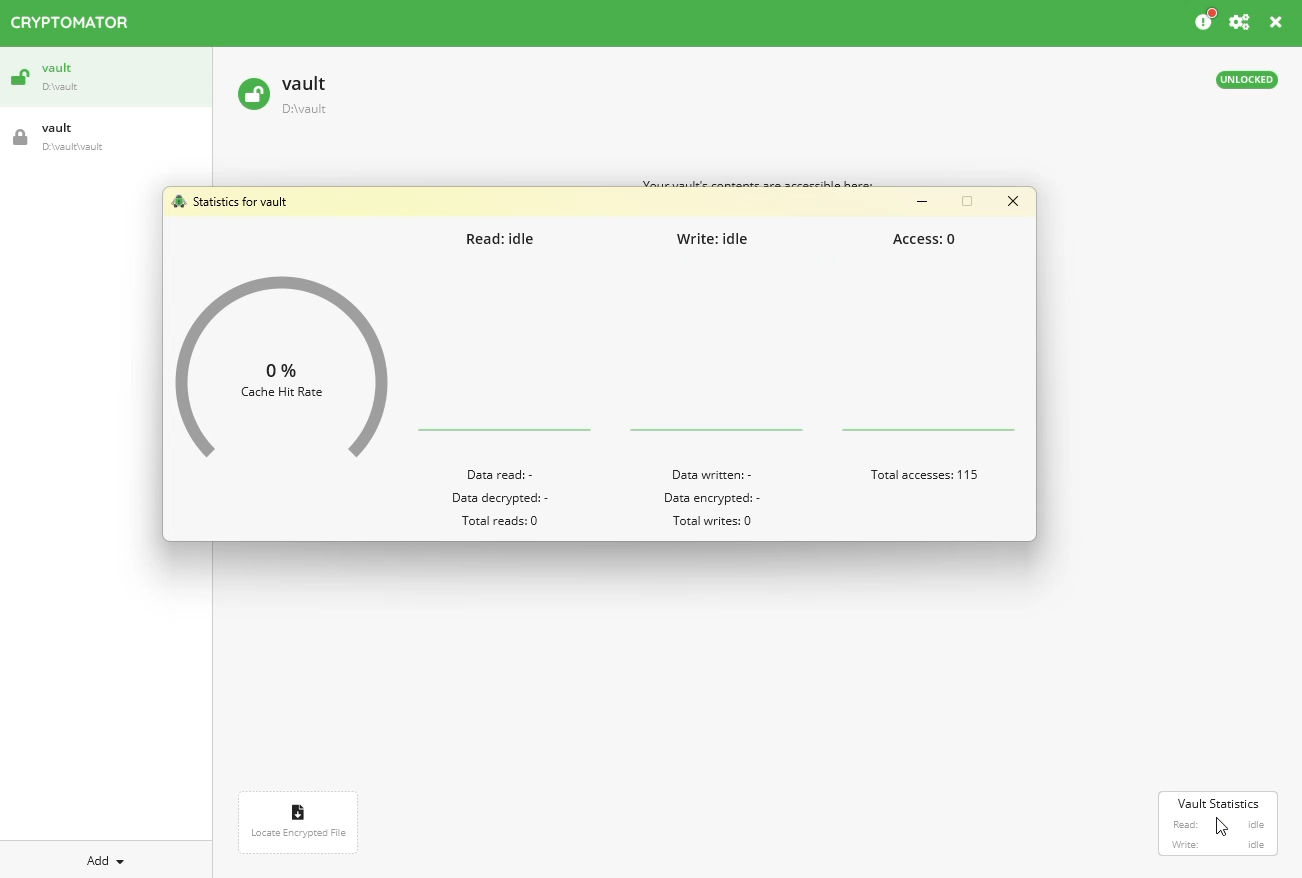 The image size is (1302, 878). Describe the element at coordinates (1218, 803) in the screenshot. I see `vault statistics` at that location.